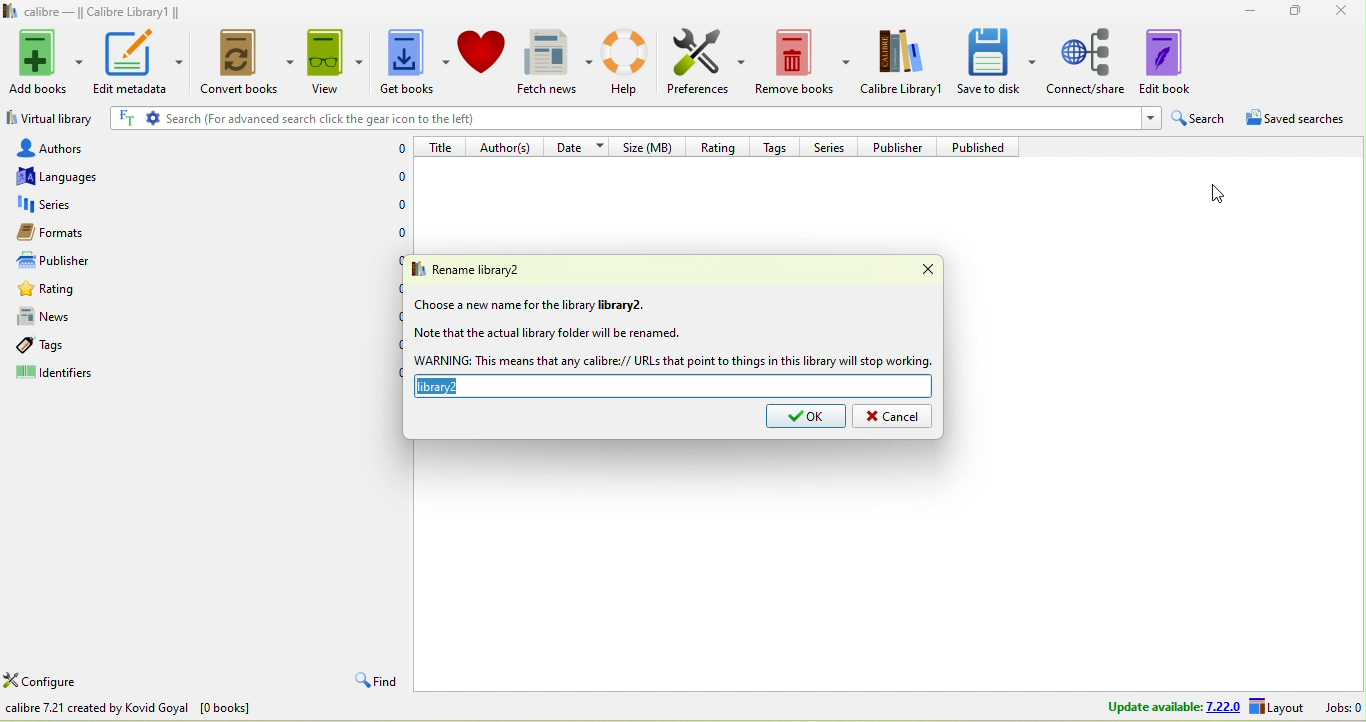  What do you see at coordinates (831, 146) in the screenshot?
I see `series` at bounding box center [831, 146].